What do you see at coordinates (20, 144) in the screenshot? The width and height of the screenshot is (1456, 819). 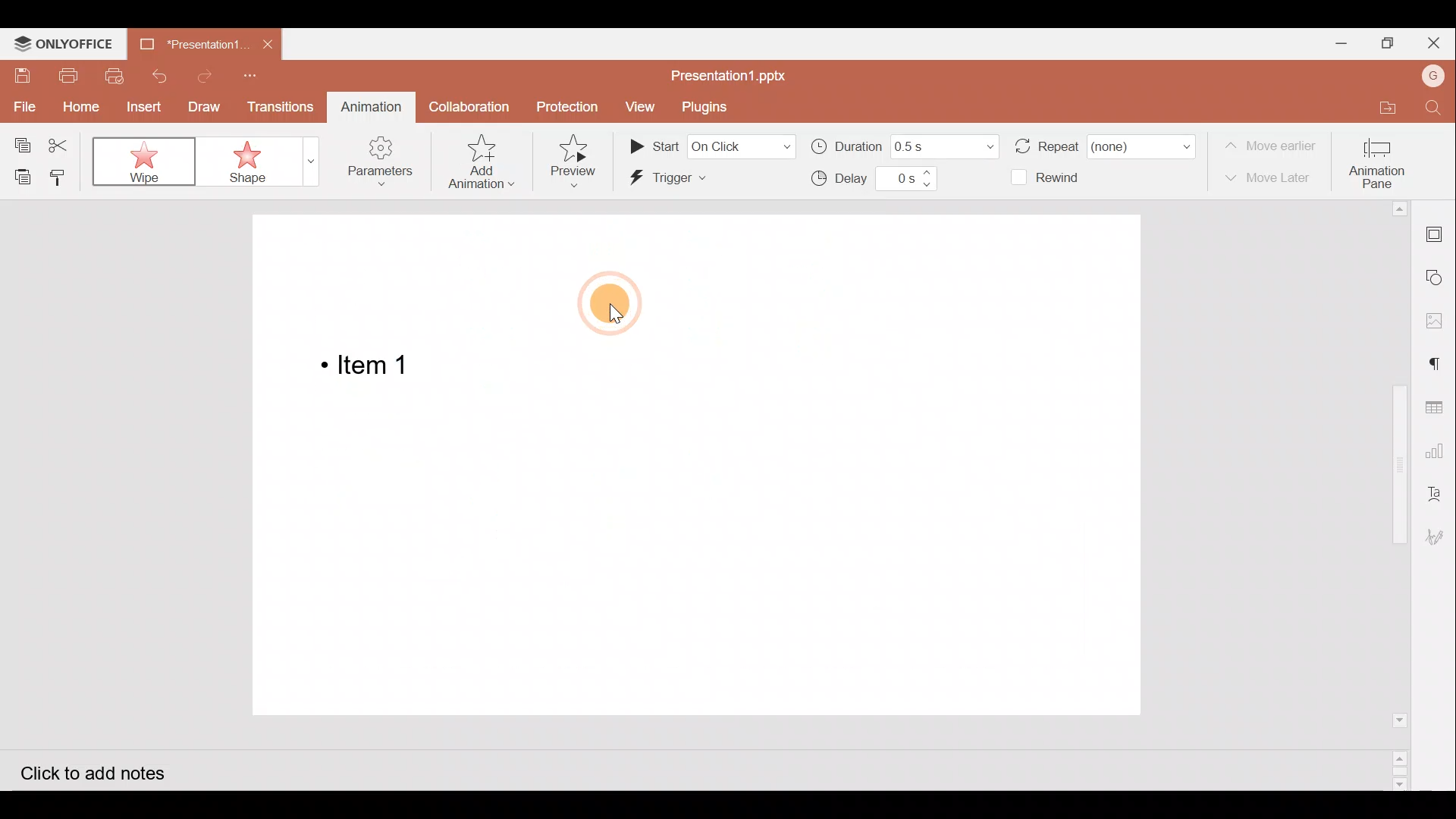 I see `Copy` at bounding box center [20, 144].